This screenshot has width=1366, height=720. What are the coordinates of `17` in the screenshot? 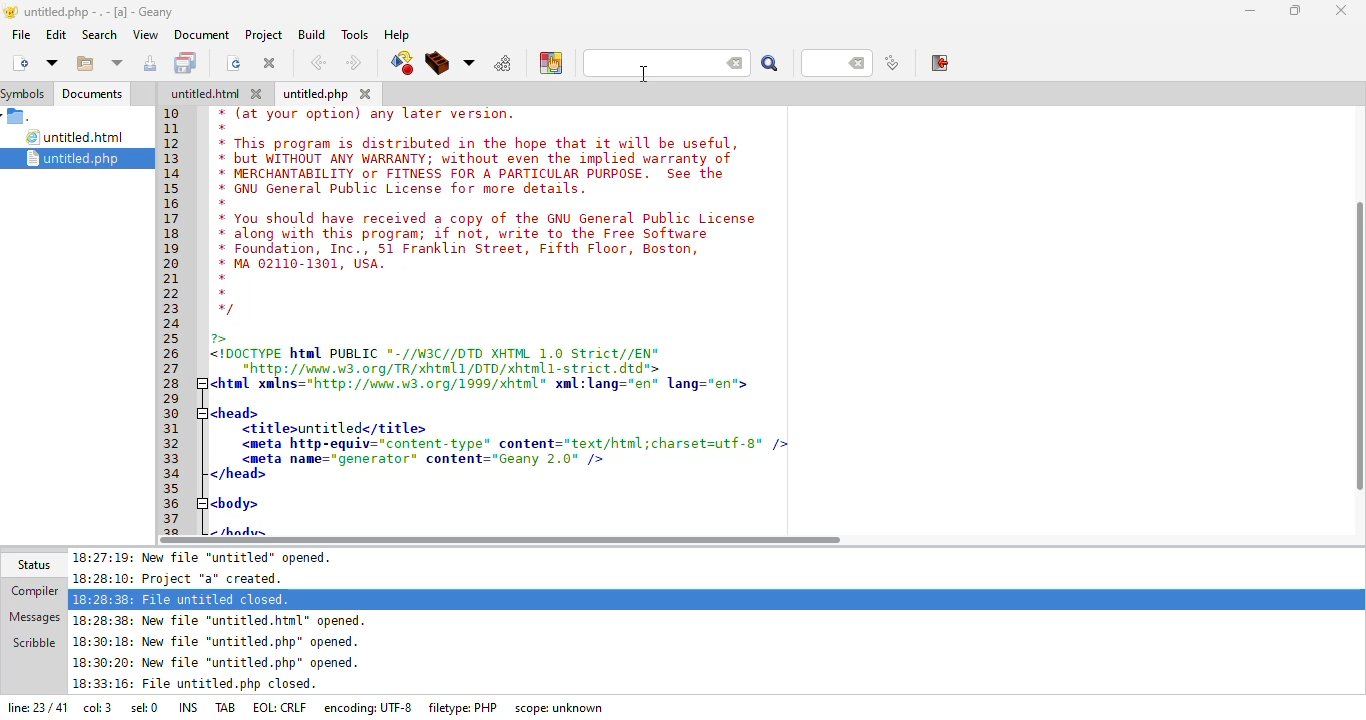 It's located at (172, 219).